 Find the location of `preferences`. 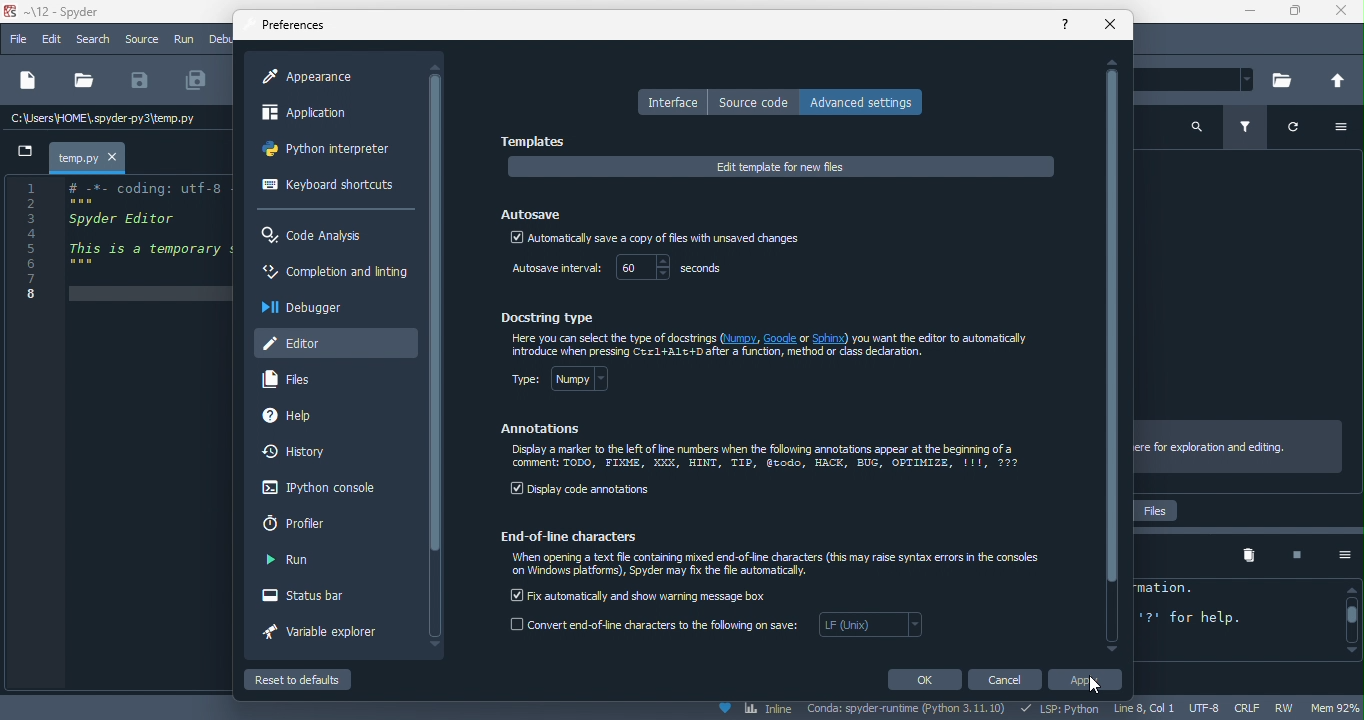

preferences is located at coordinates (296, 26).